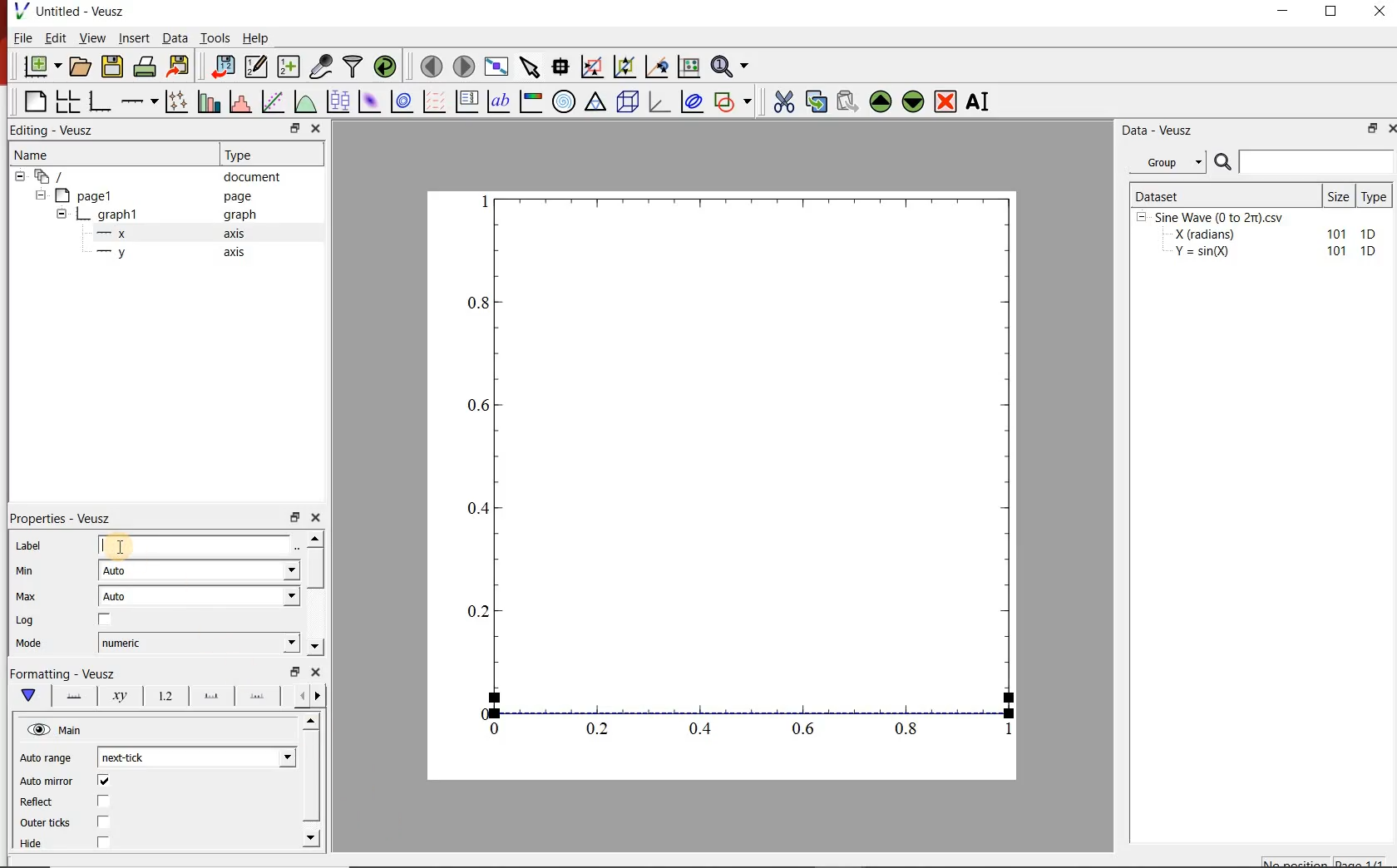 The image size is (1397, 868). What do you see at coordinates (307, 101) in the screenshot?
I see `plot a function` at bounding box center [307, 101].